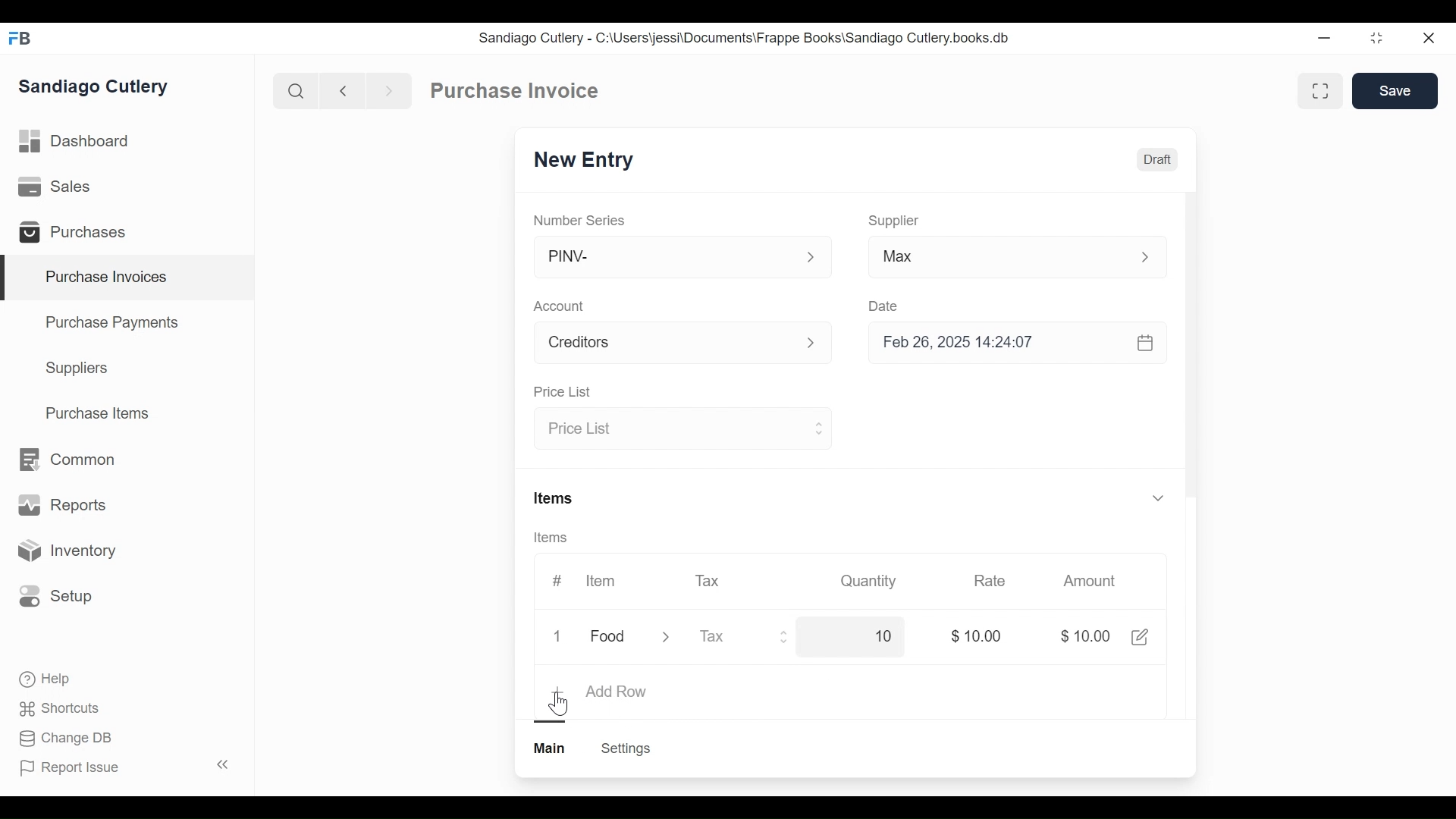 The image size is (1456, 819). What do you see at coordinates (884, 306) in the screenshot?
I see `Date` at bounding box center [884, 306].